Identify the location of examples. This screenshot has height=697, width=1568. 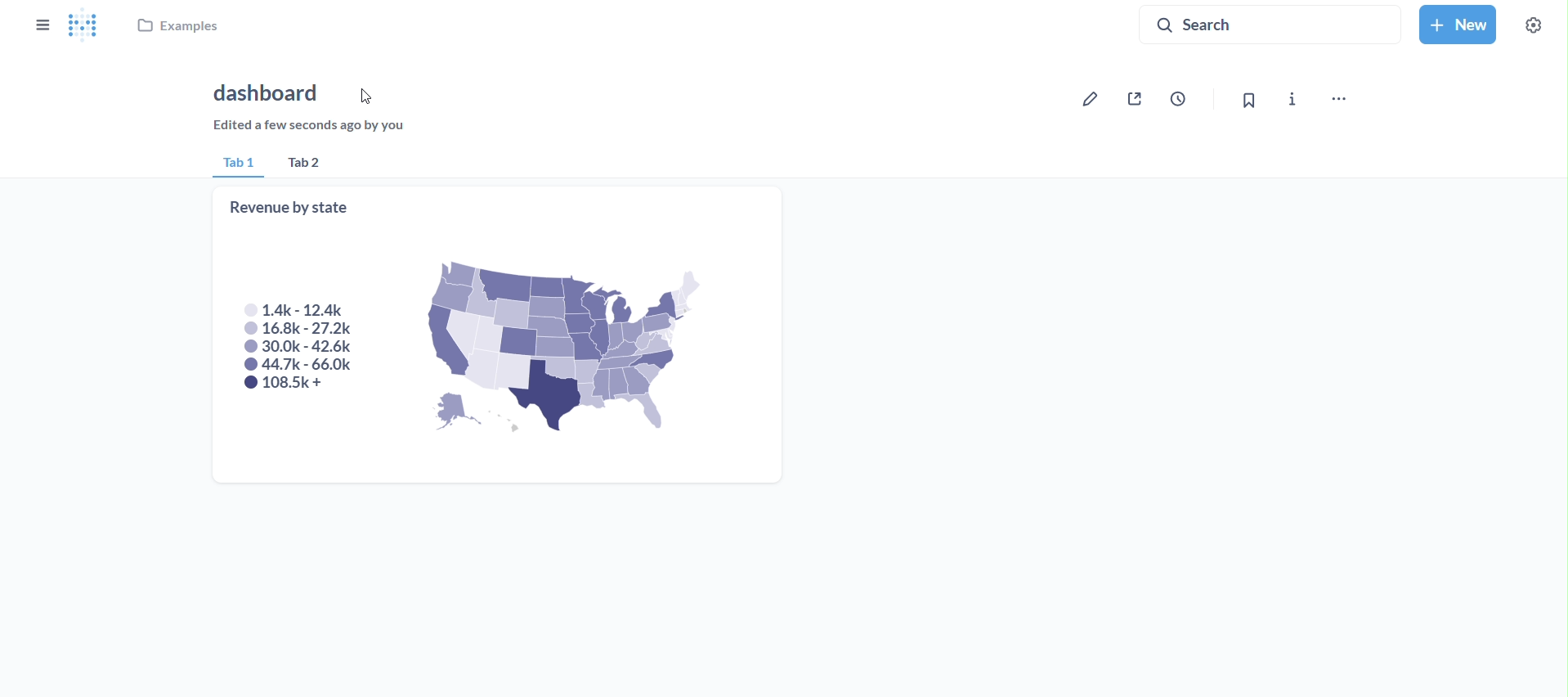
(181, 29).